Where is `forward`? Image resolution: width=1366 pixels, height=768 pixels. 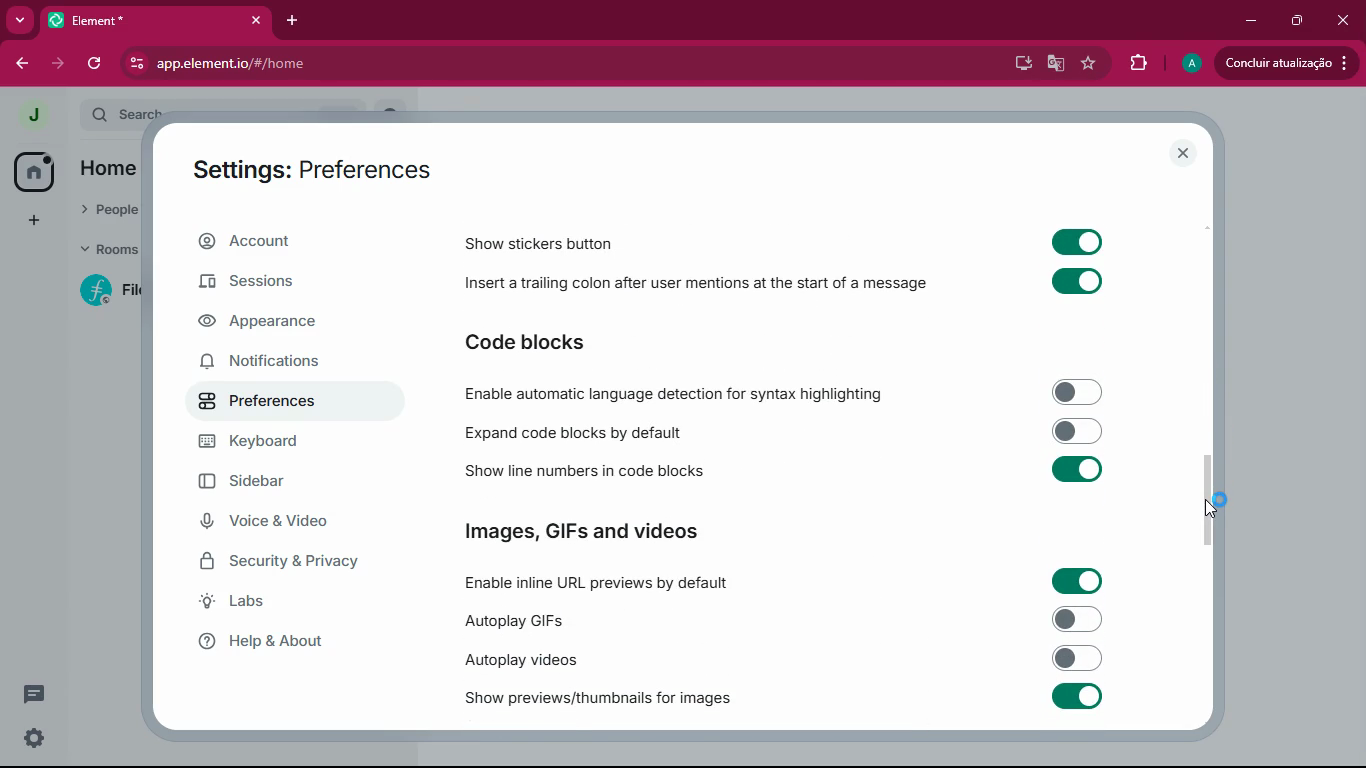
forward is located at coordinates (56, 65).